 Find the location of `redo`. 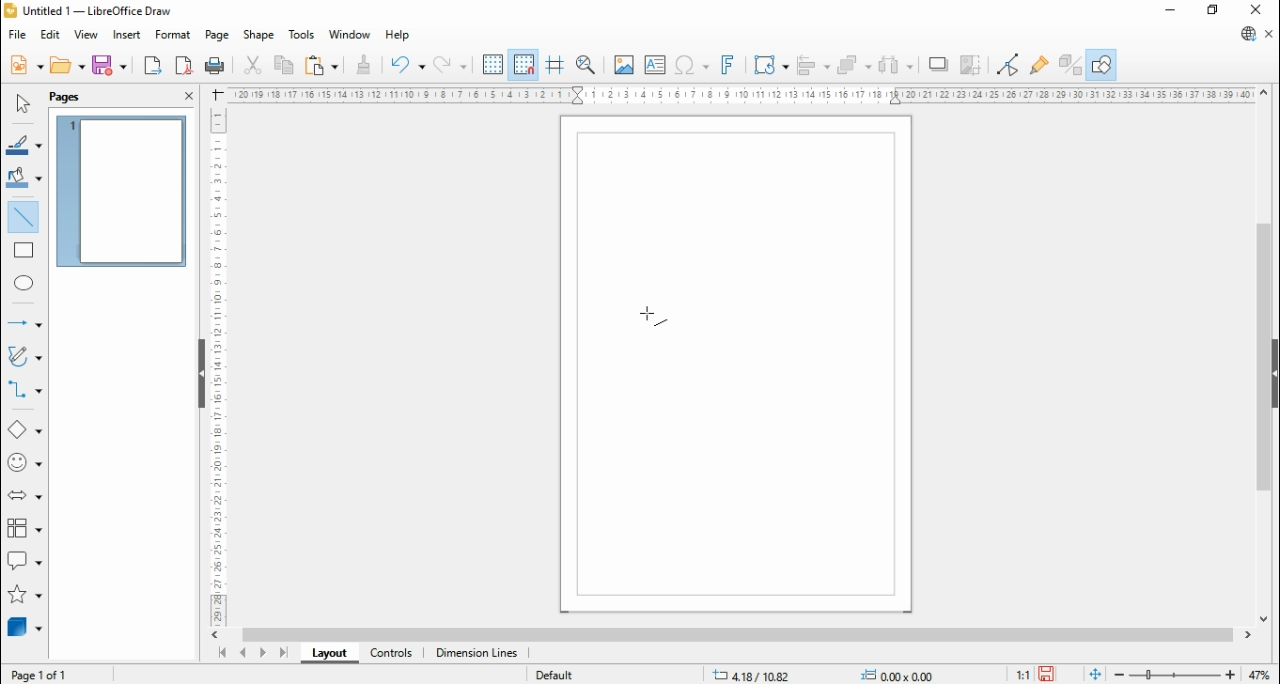

redo is located at coordinates (451, 64).